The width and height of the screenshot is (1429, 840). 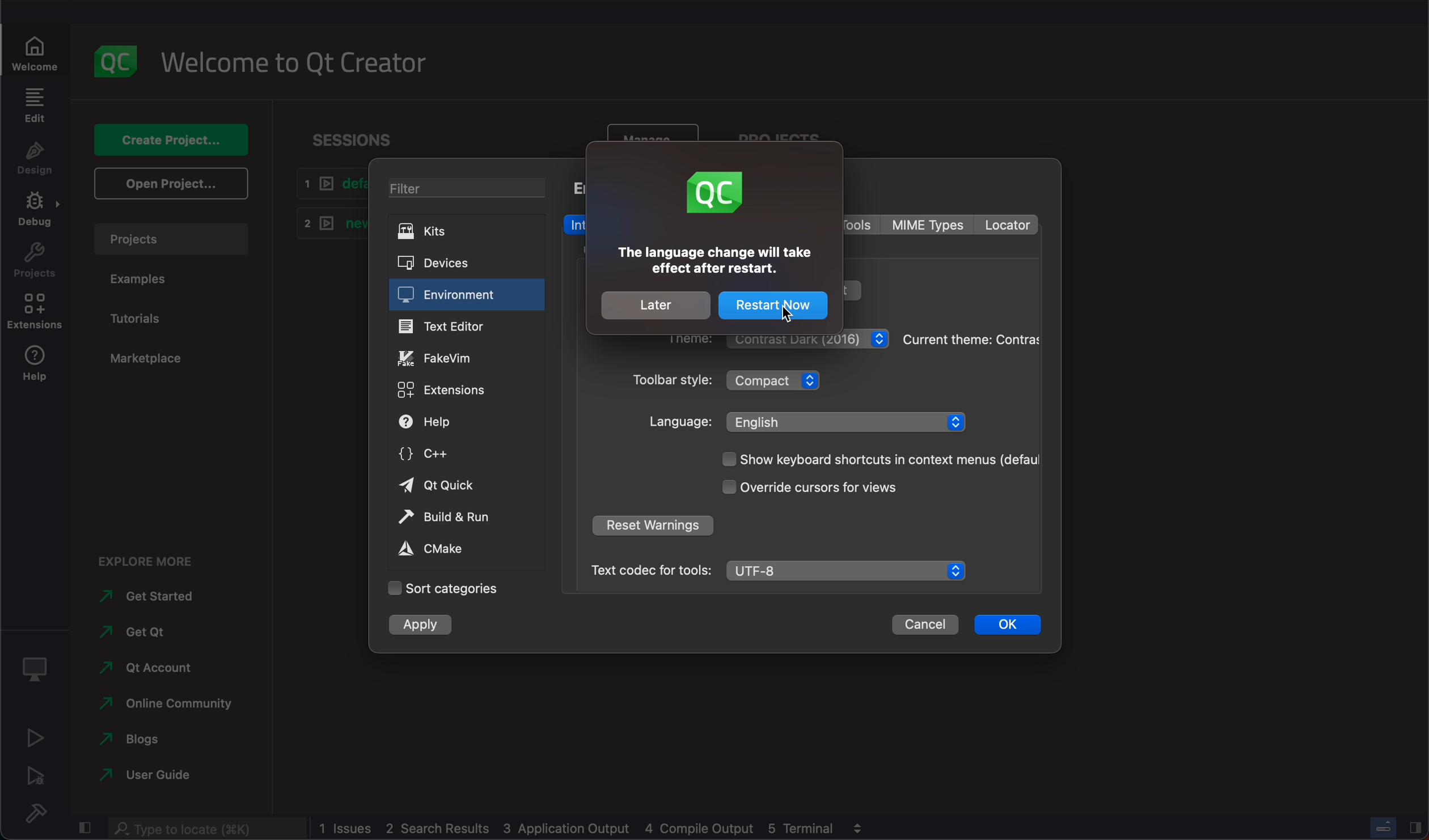 What do you see at coordinates (462, 231) in the screenshot?
I see `kits` at bounding box center [462, 231].